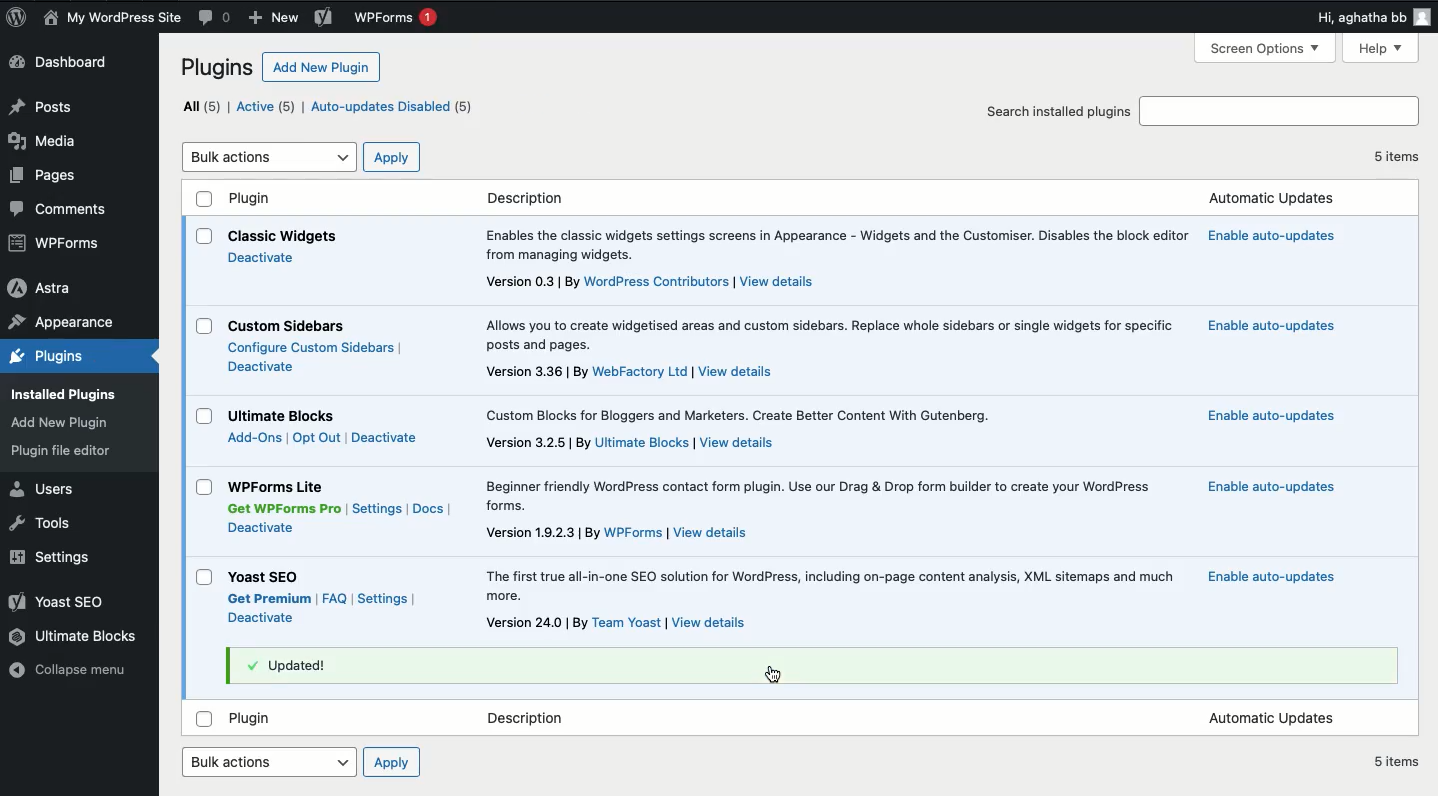 This screenshot has width=1438, height=796. What do you see at coordinates (282, 509) in the screenshot?
I see `Get WPForms pro` at bounding box center [282, 509].